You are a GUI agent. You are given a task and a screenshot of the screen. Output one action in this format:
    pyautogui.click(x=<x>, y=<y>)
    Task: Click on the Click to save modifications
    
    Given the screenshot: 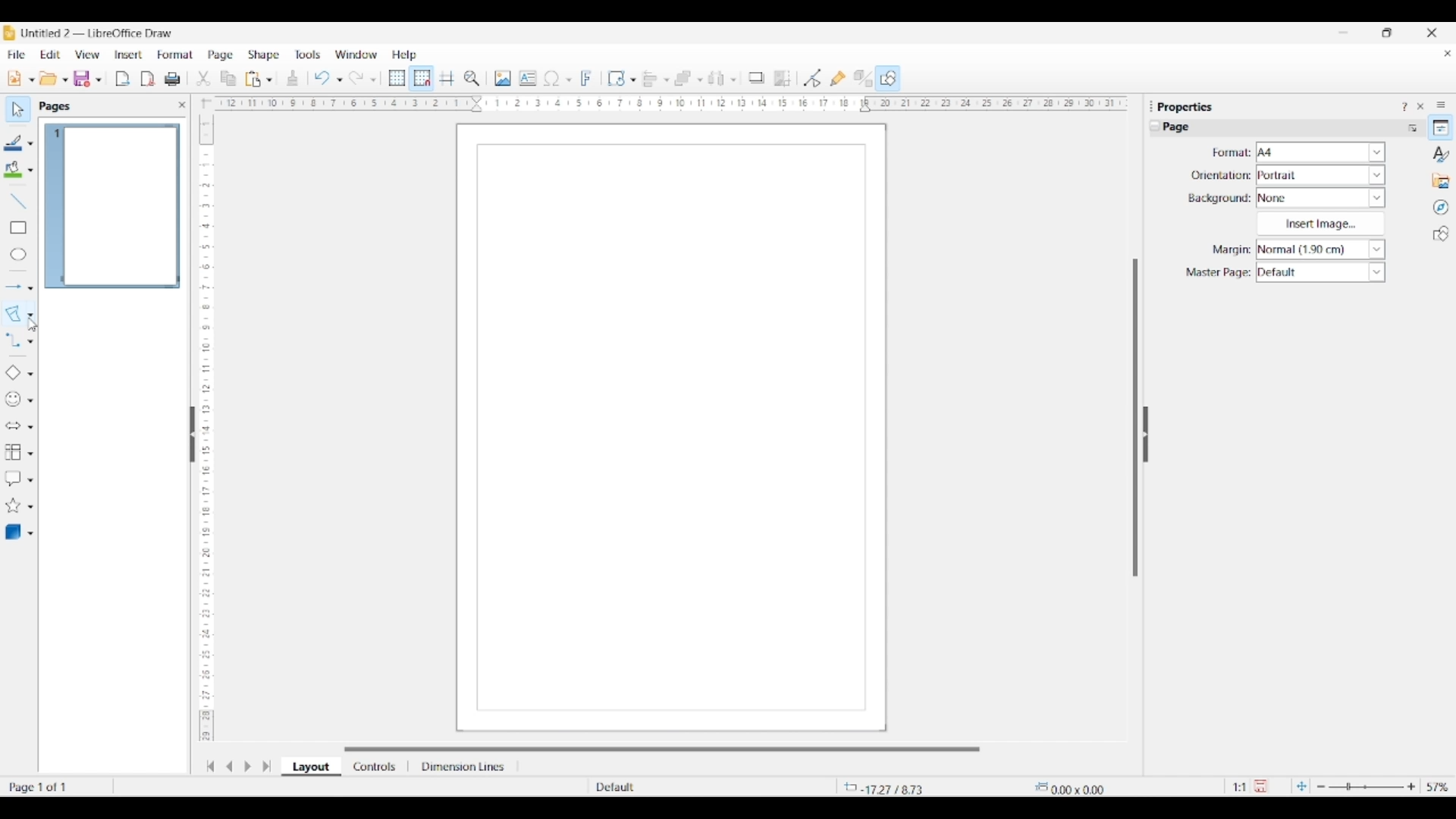 What is the action you would take?
    pyautogui.click(x=1260, y=786)
    